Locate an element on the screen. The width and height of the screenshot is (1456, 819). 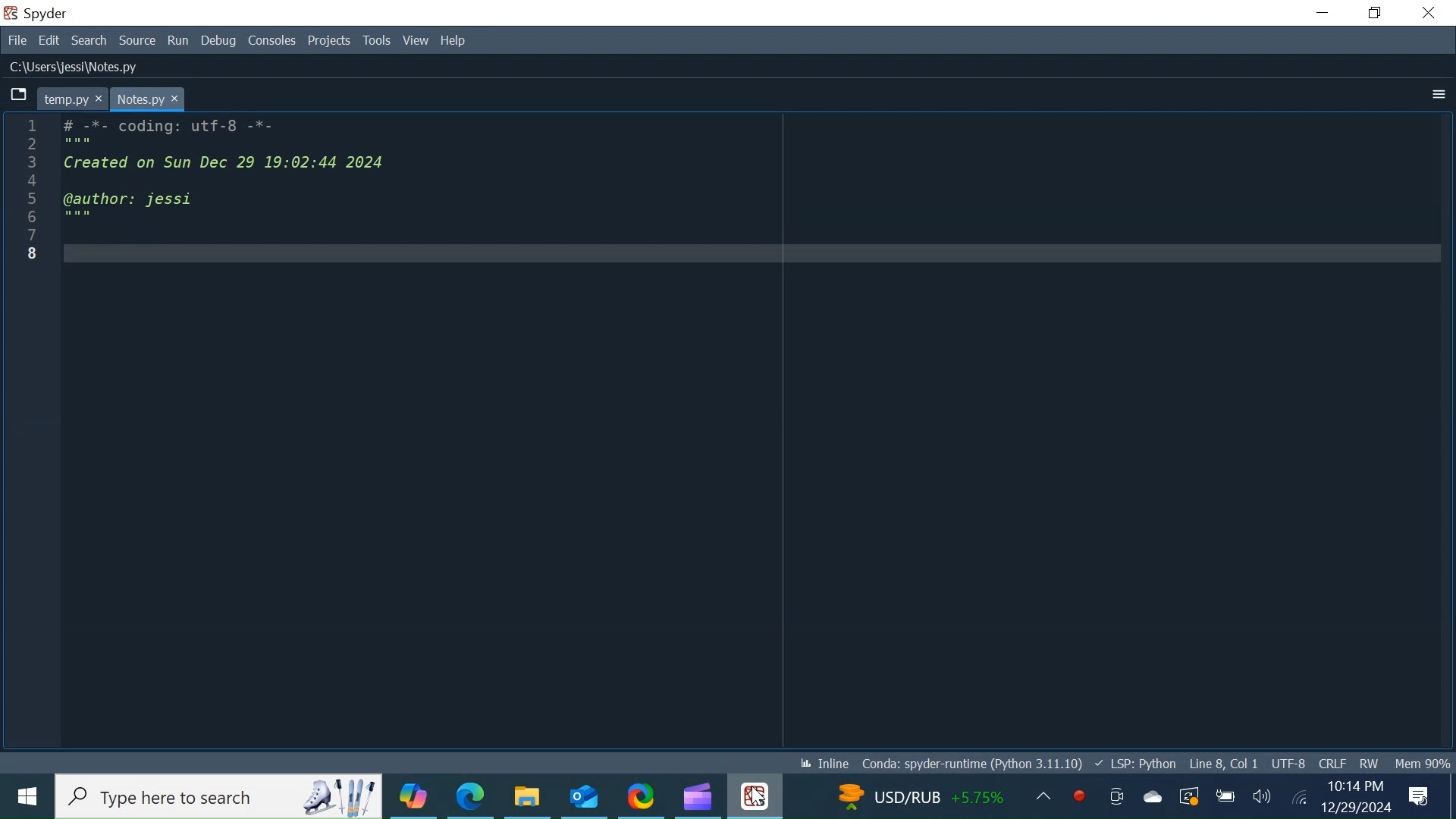
Copilot is located at coordinates (415, 796).